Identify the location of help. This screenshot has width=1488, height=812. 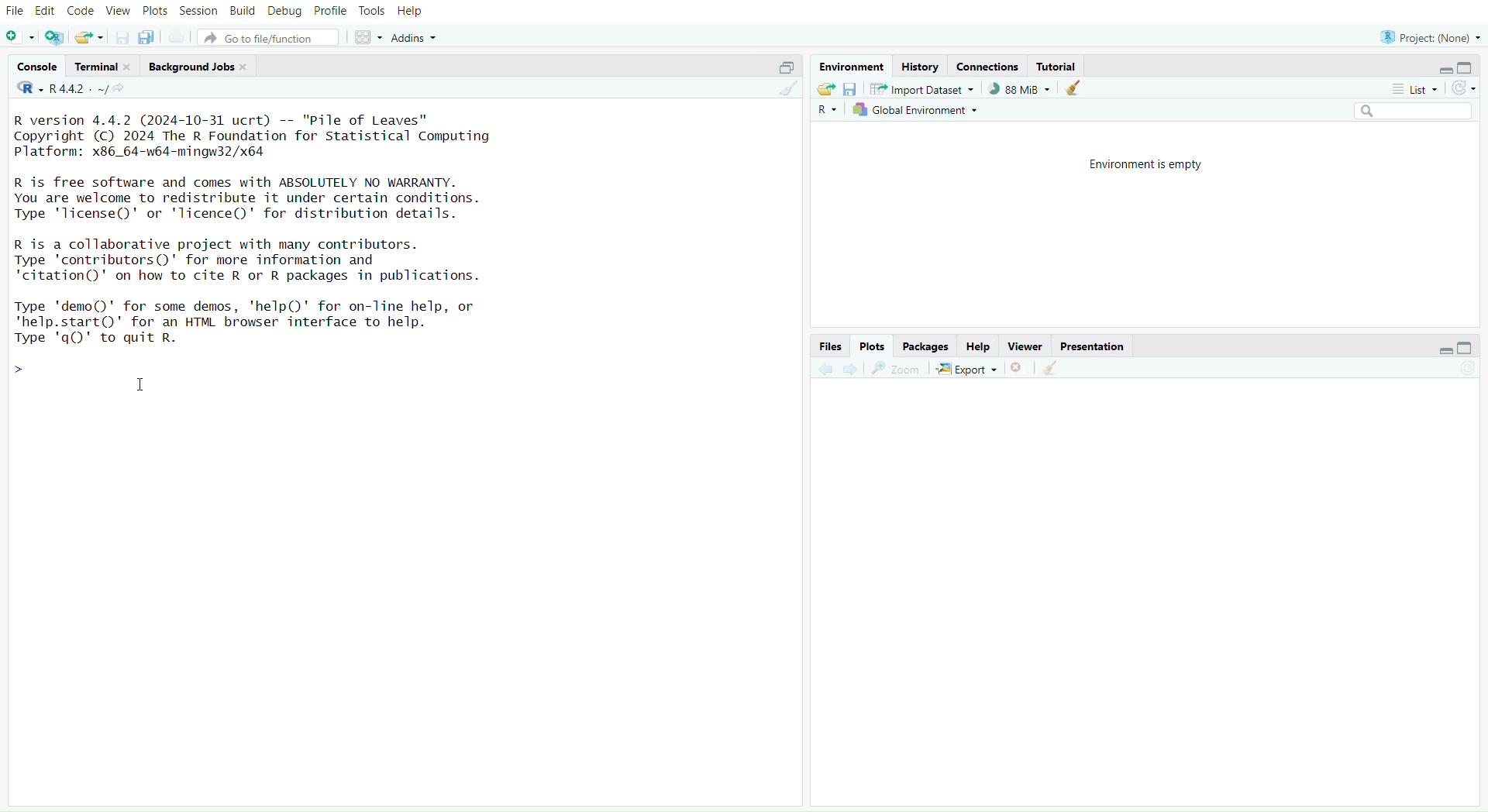
(412, 12).